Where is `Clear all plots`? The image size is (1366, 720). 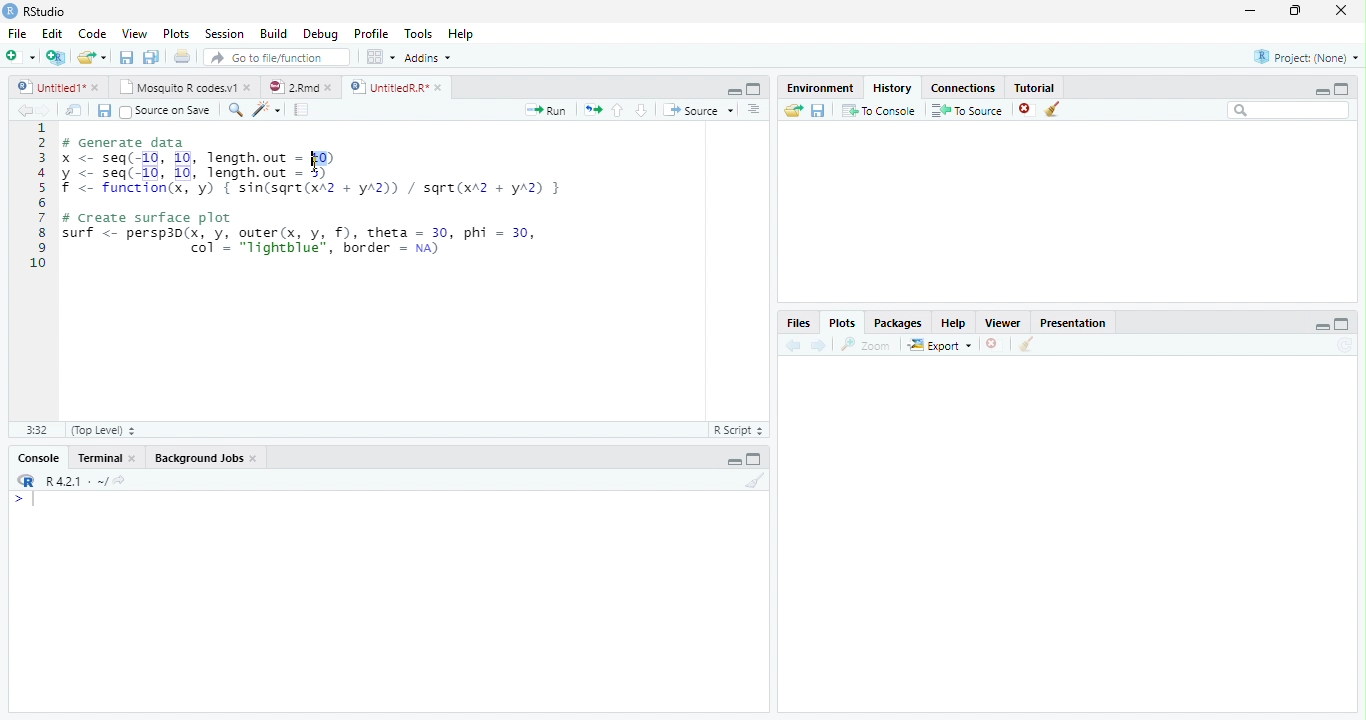 Clear all plots is located at coordinates (1026, 344).